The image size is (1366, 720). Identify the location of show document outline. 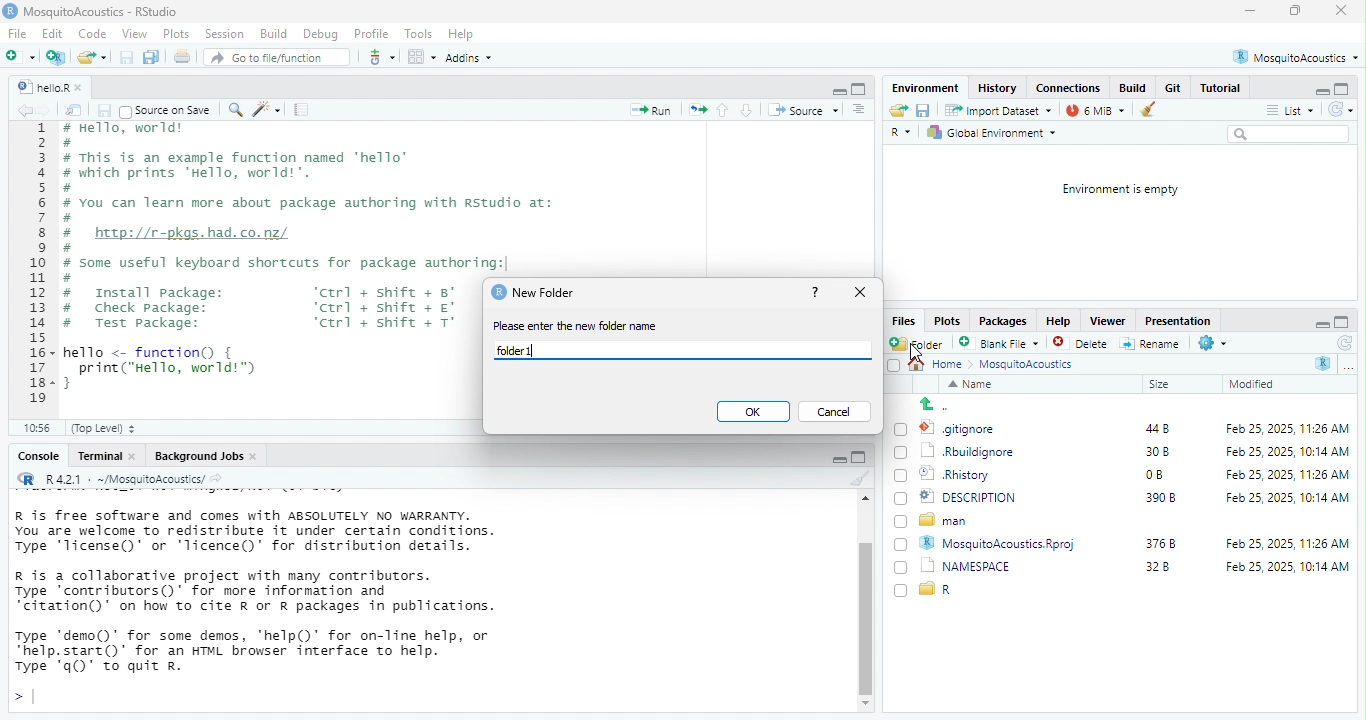
(861, 111).